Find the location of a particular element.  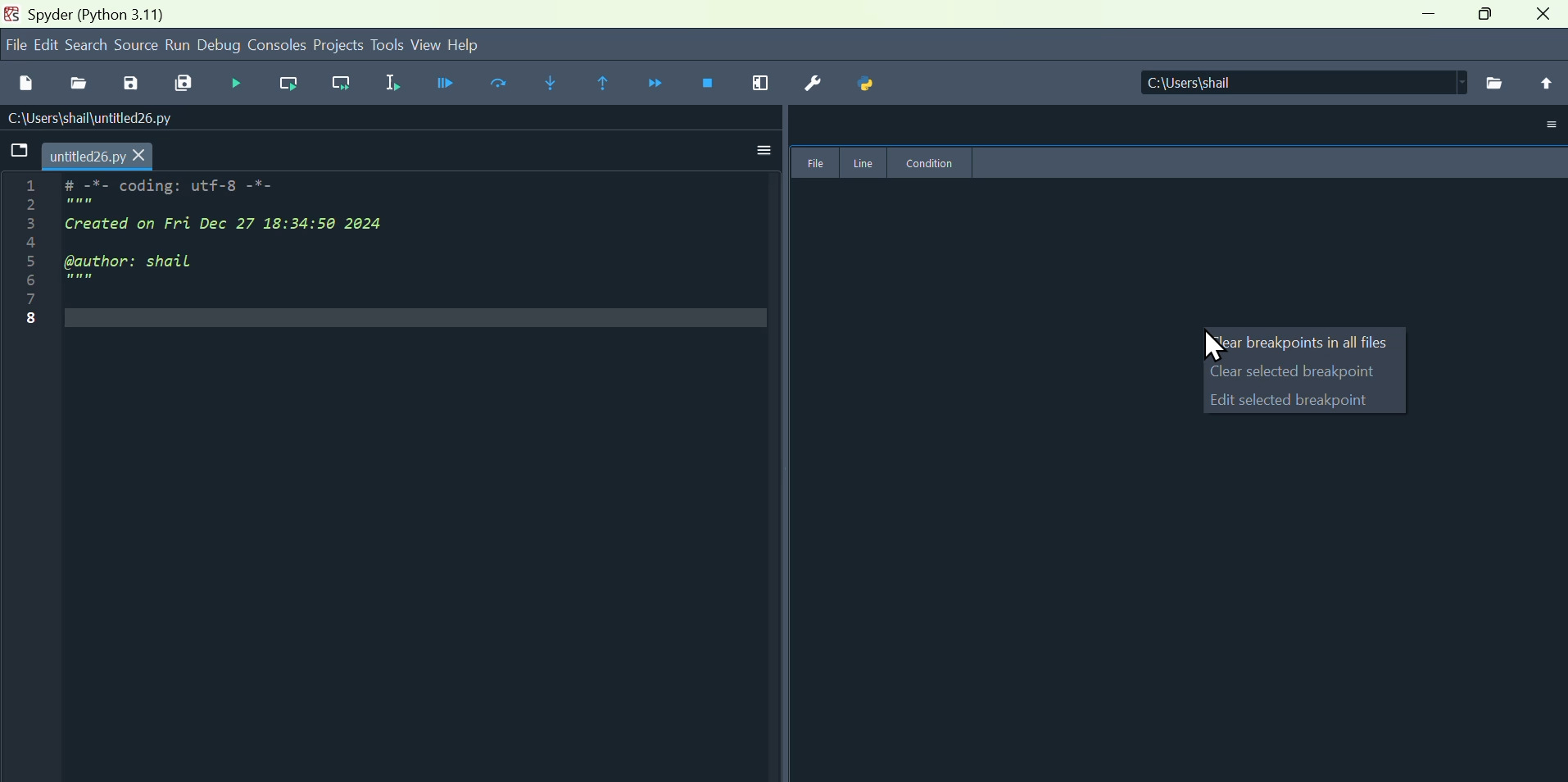

line is located at coordinates (864, 163).